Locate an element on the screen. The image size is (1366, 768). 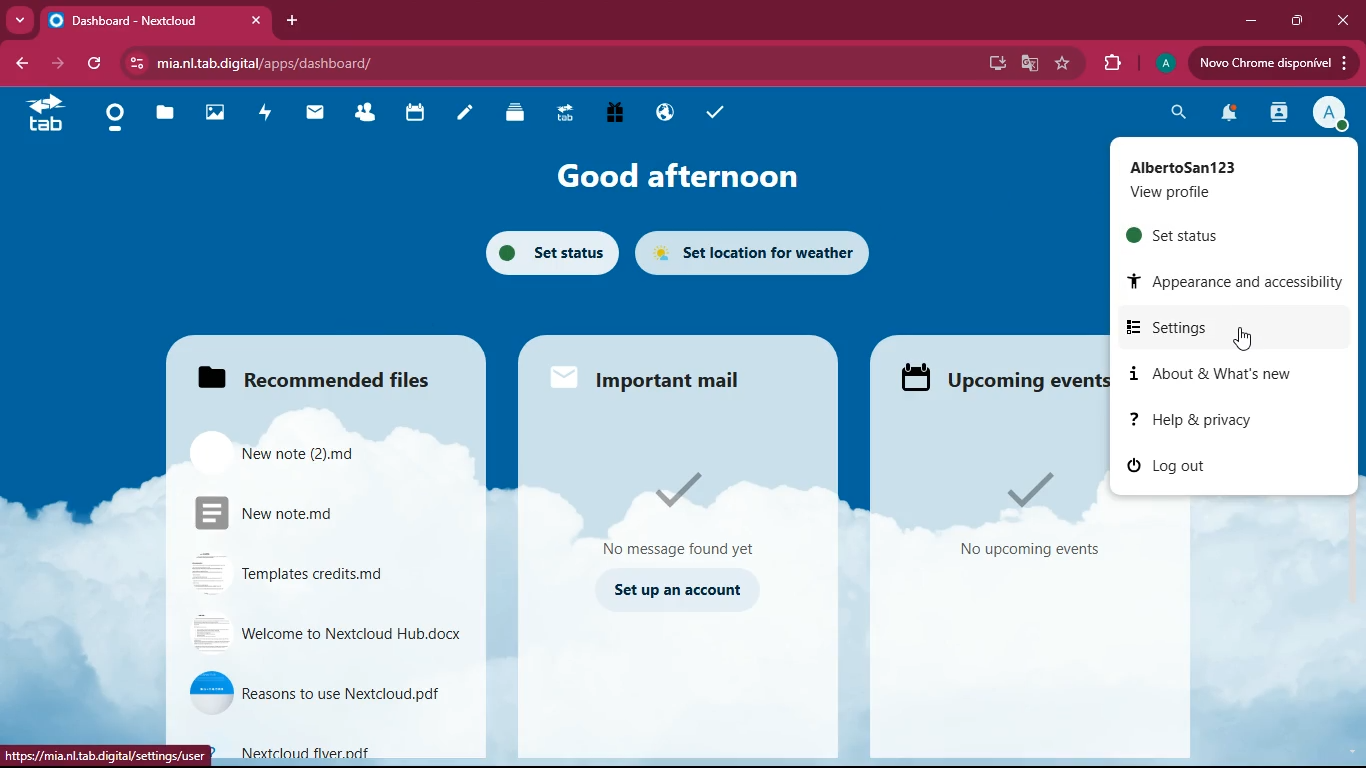
minimize is located at coordinates (1246, 22).